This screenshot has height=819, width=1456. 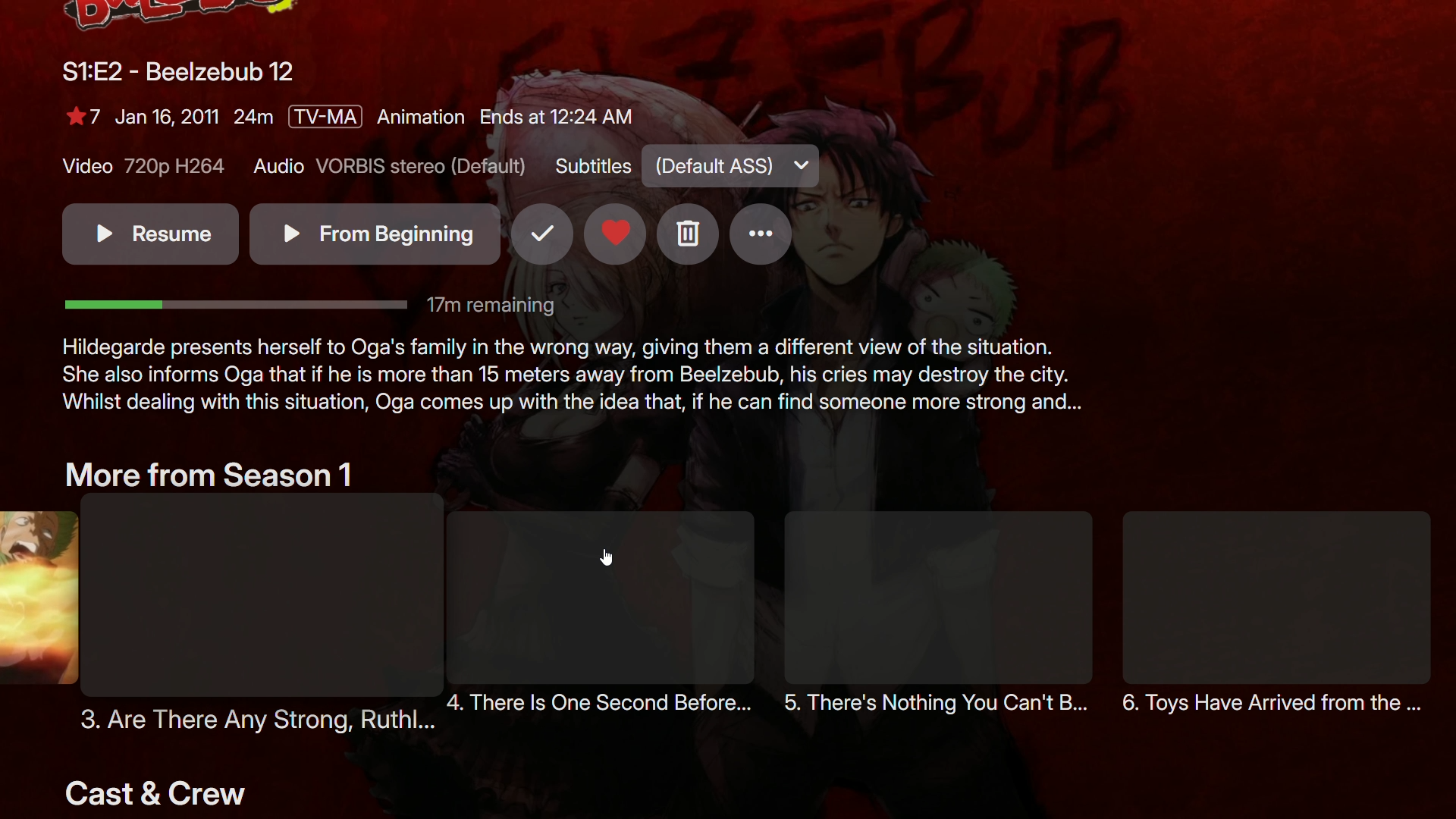 What do you see at coordinates (765, 233) in the screenshot?
I see `More options` at bounding box center [765, 233].